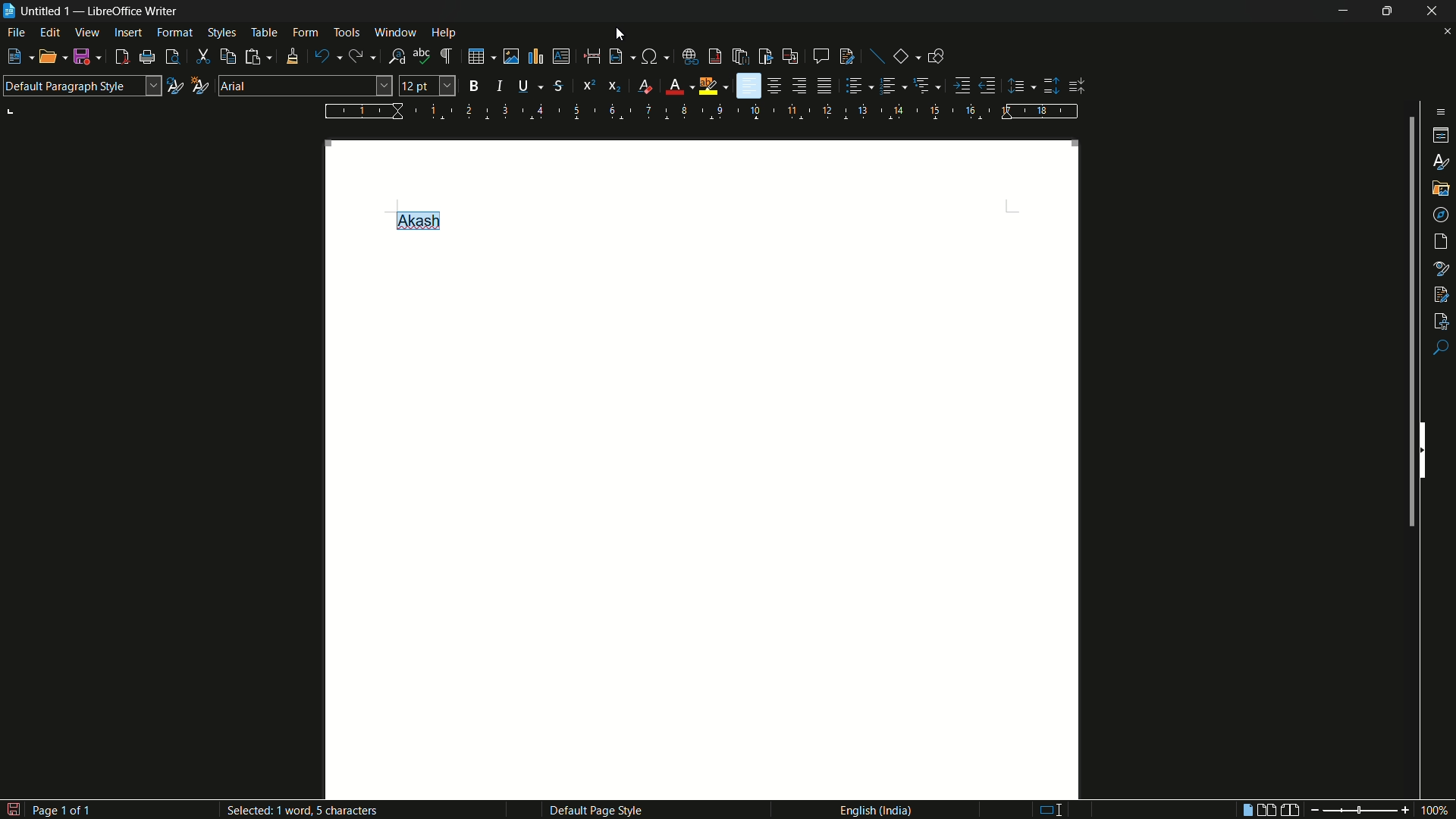 Image resolution: width=1456 pixels, height=819 pixels. Describe the element at coordinates (475, 86) in the screenshot. I see `bold` at that location.